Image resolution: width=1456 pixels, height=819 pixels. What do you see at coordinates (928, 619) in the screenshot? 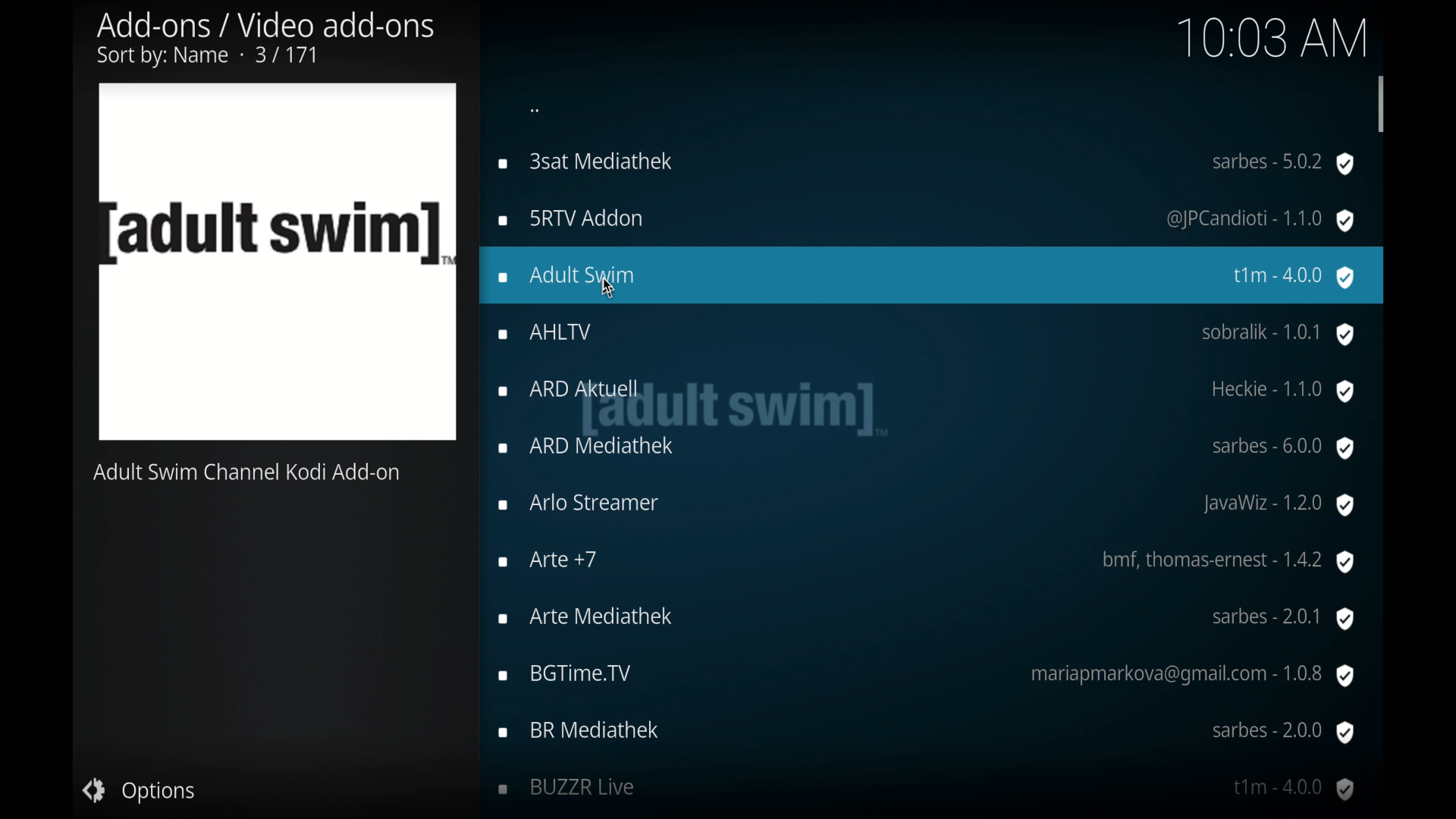
I see `arte` at bounding box center [928, 619].